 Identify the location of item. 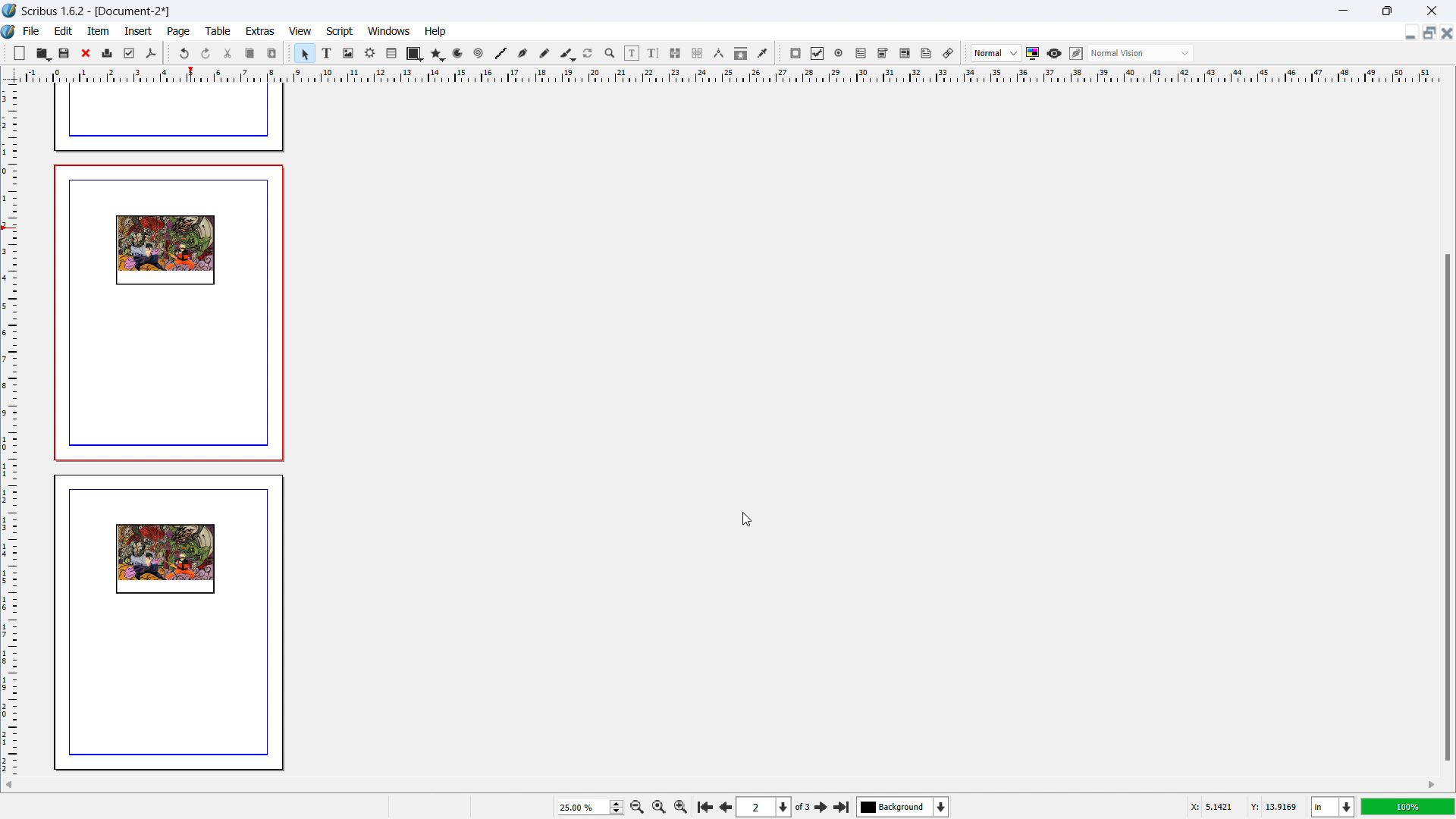
(99, 30).